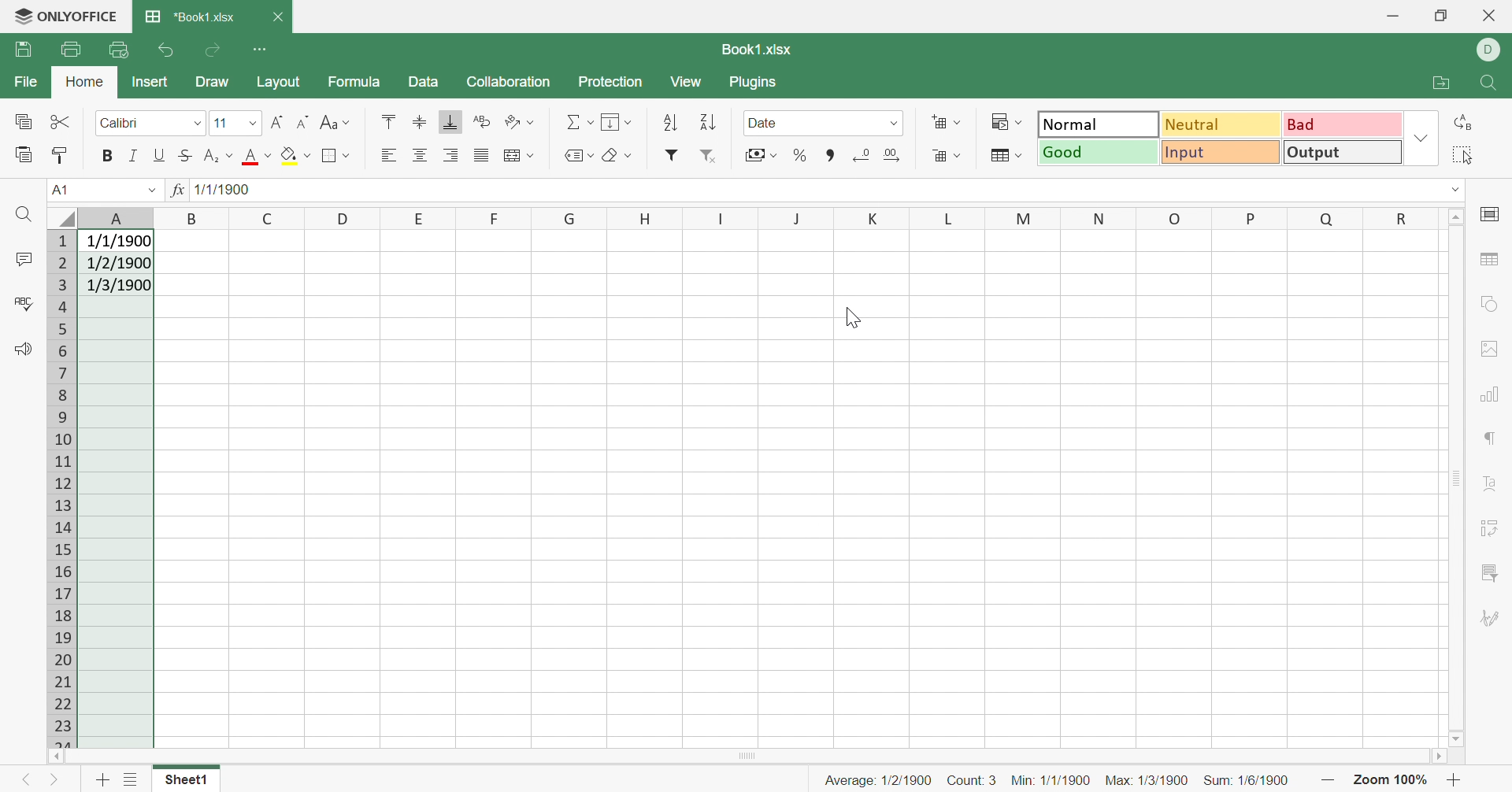  What do you see at coordinates (212, 81) in the screenshot?
I see `Draw` at bounding box center [212, 81].